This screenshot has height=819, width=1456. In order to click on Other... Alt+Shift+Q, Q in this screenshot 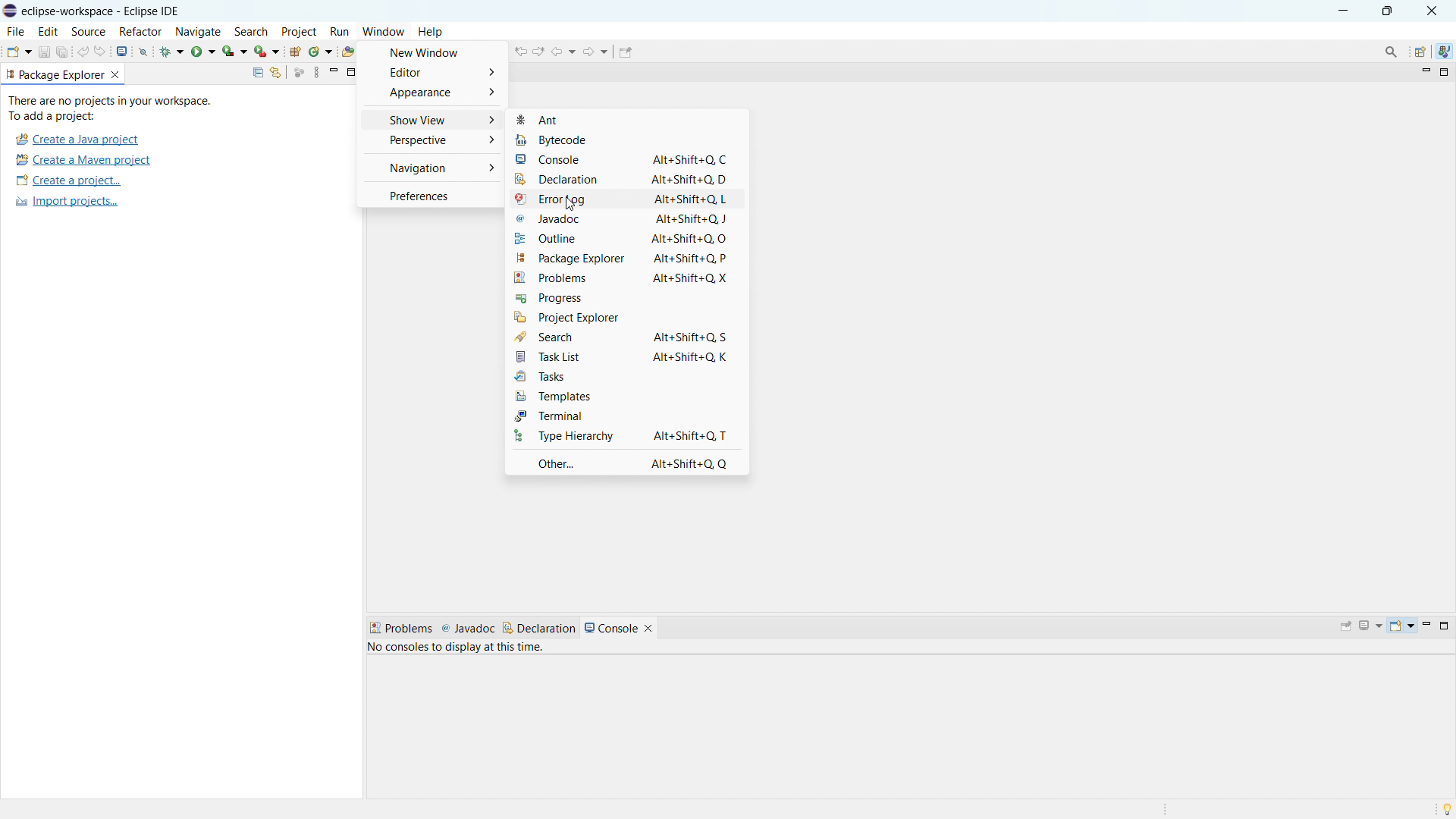, I will do `click(634, 463)`.